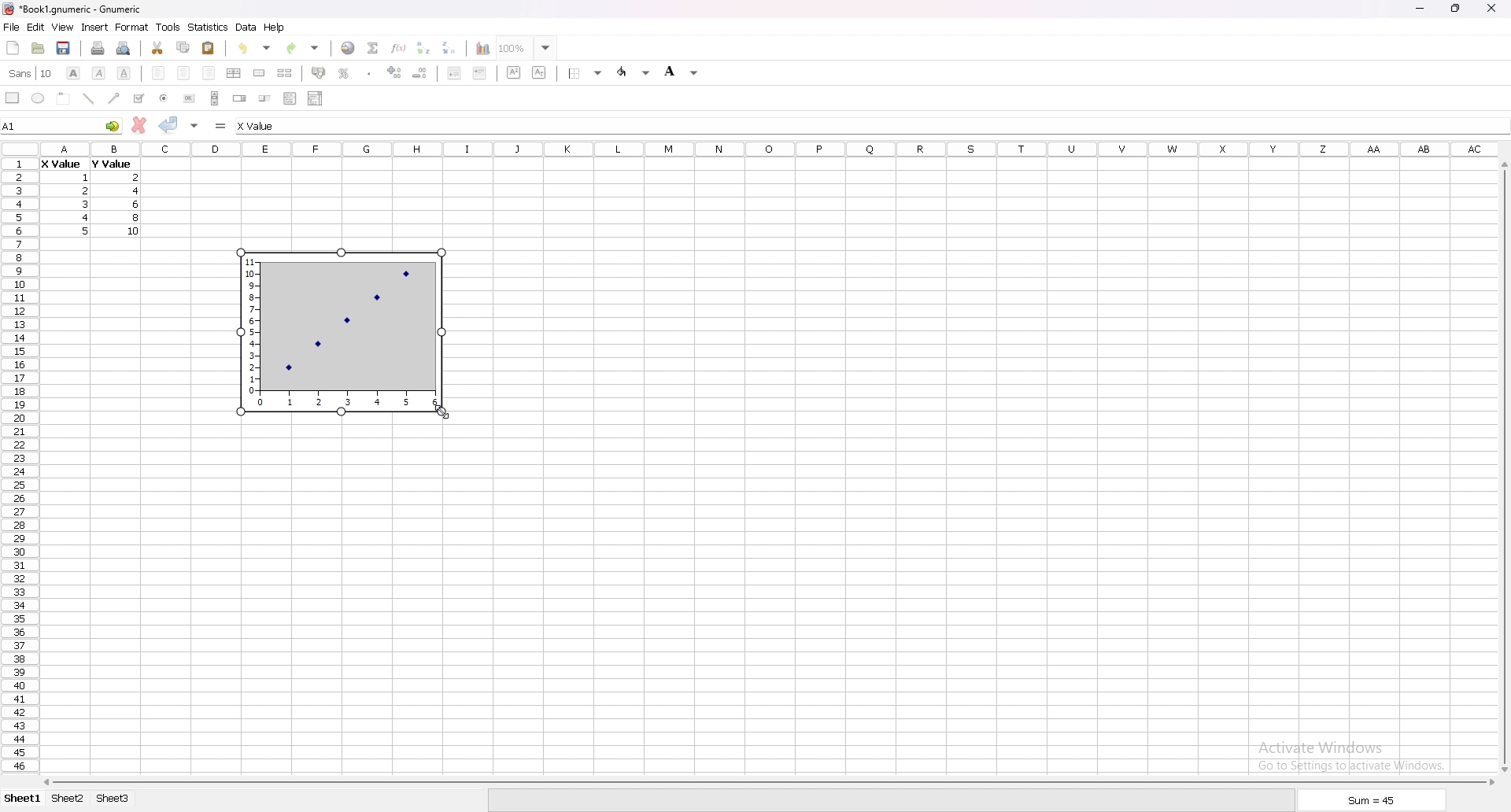 This screenshot has width=1511, height=812. What do you see at coordinates (344, 73) in the screenshot?
I see `percentage` at bounding box center [344, 73].